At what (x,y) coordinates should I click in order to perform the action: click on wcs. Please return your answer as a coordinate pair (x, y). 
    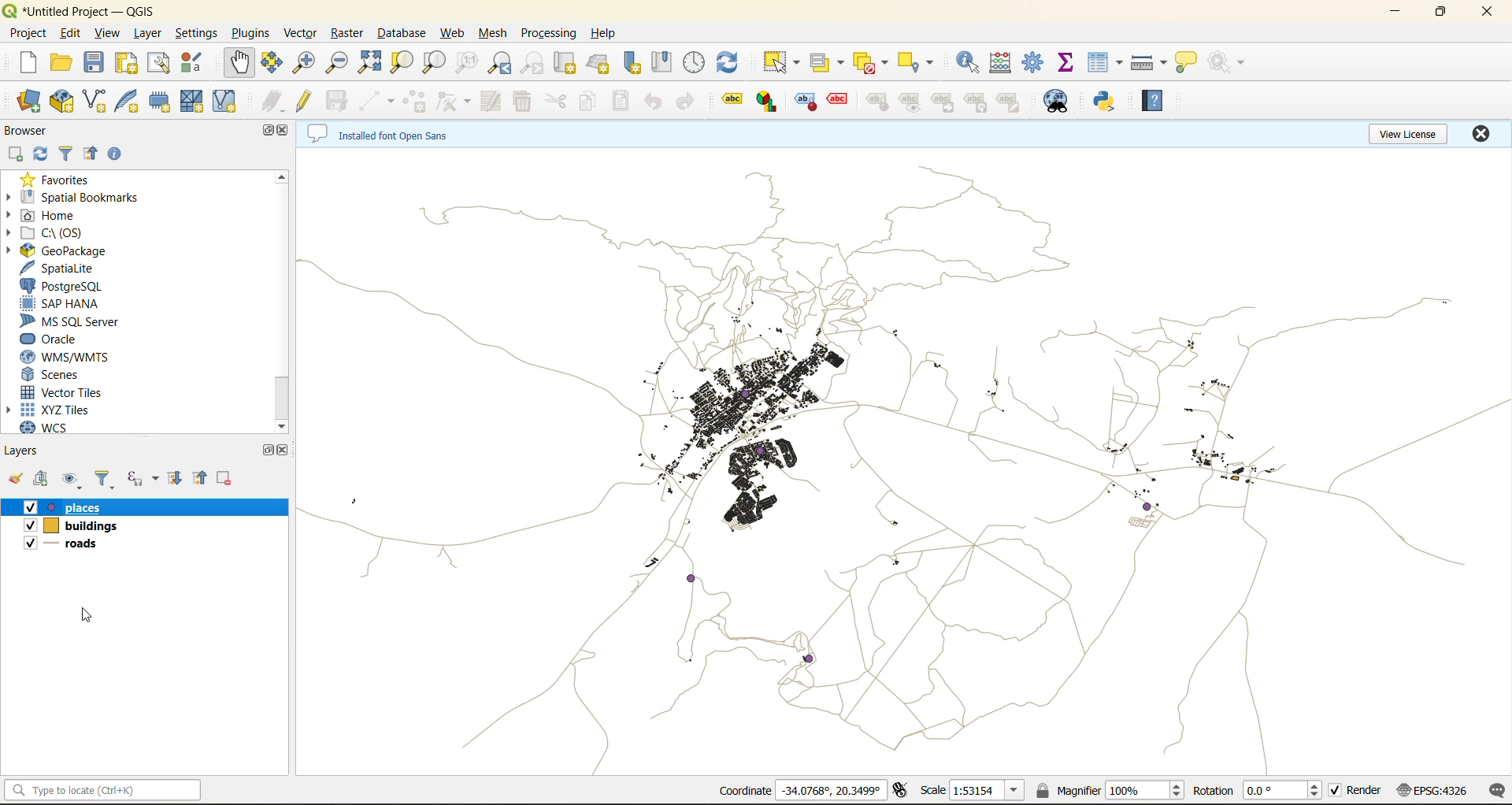
    Looking at the image, I should click on (53, 428).